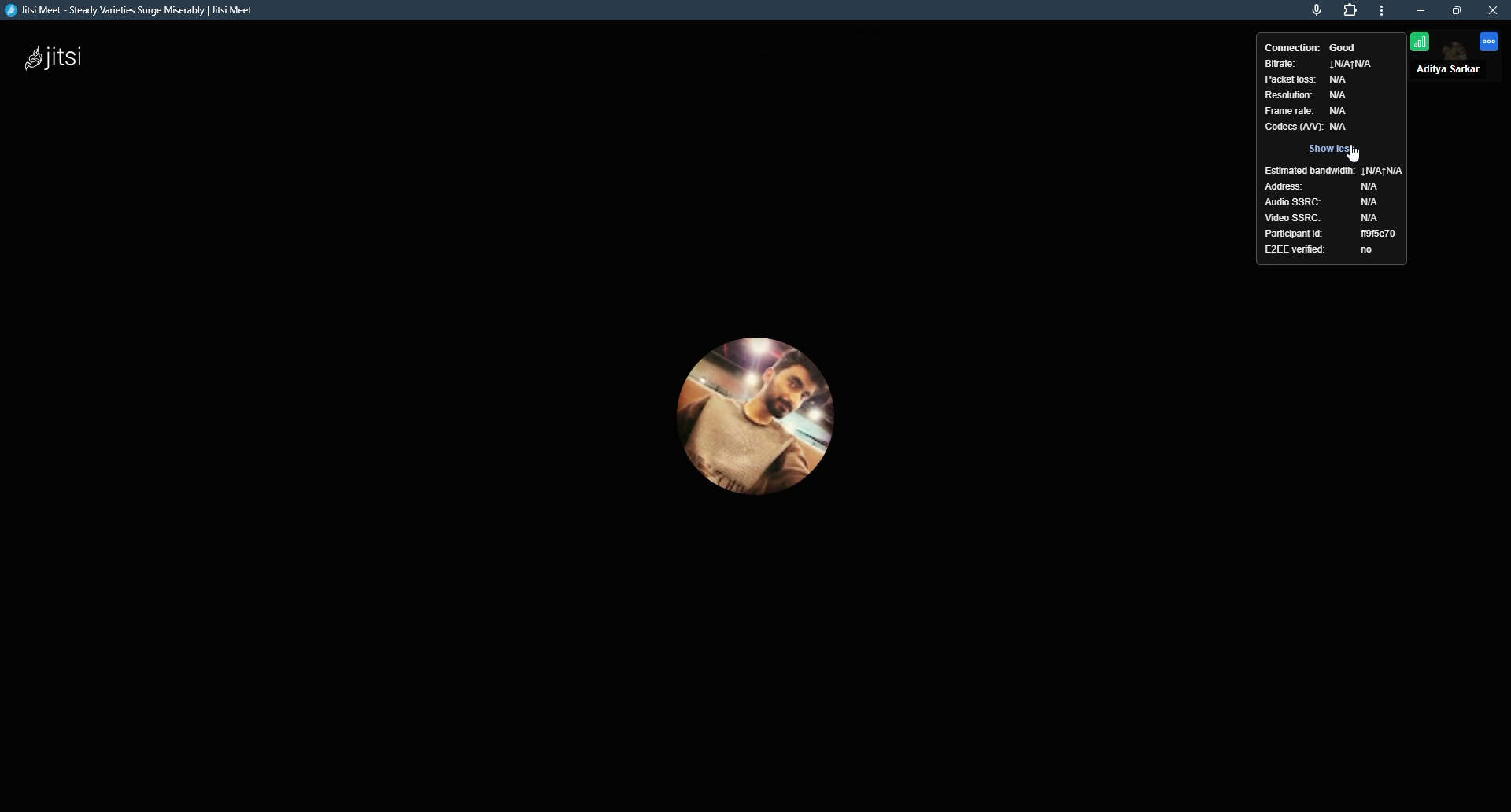 This screenshot has width=1511, height=812. I want to click on show less, so click(1335, 149).